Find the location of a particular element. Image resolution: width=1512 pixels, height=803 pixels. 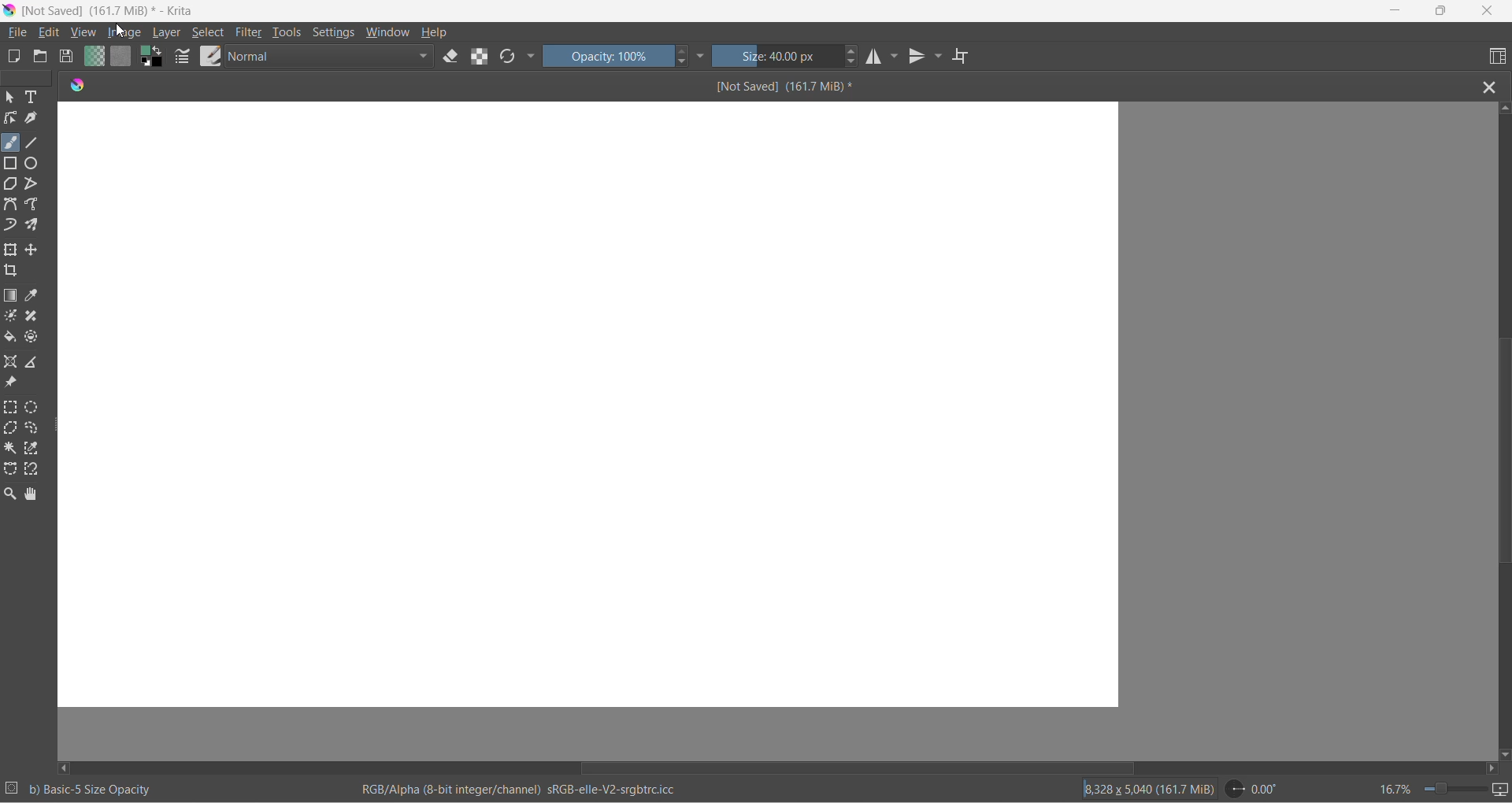

magnetic curve selection tool is located at coordinates (35, 471).